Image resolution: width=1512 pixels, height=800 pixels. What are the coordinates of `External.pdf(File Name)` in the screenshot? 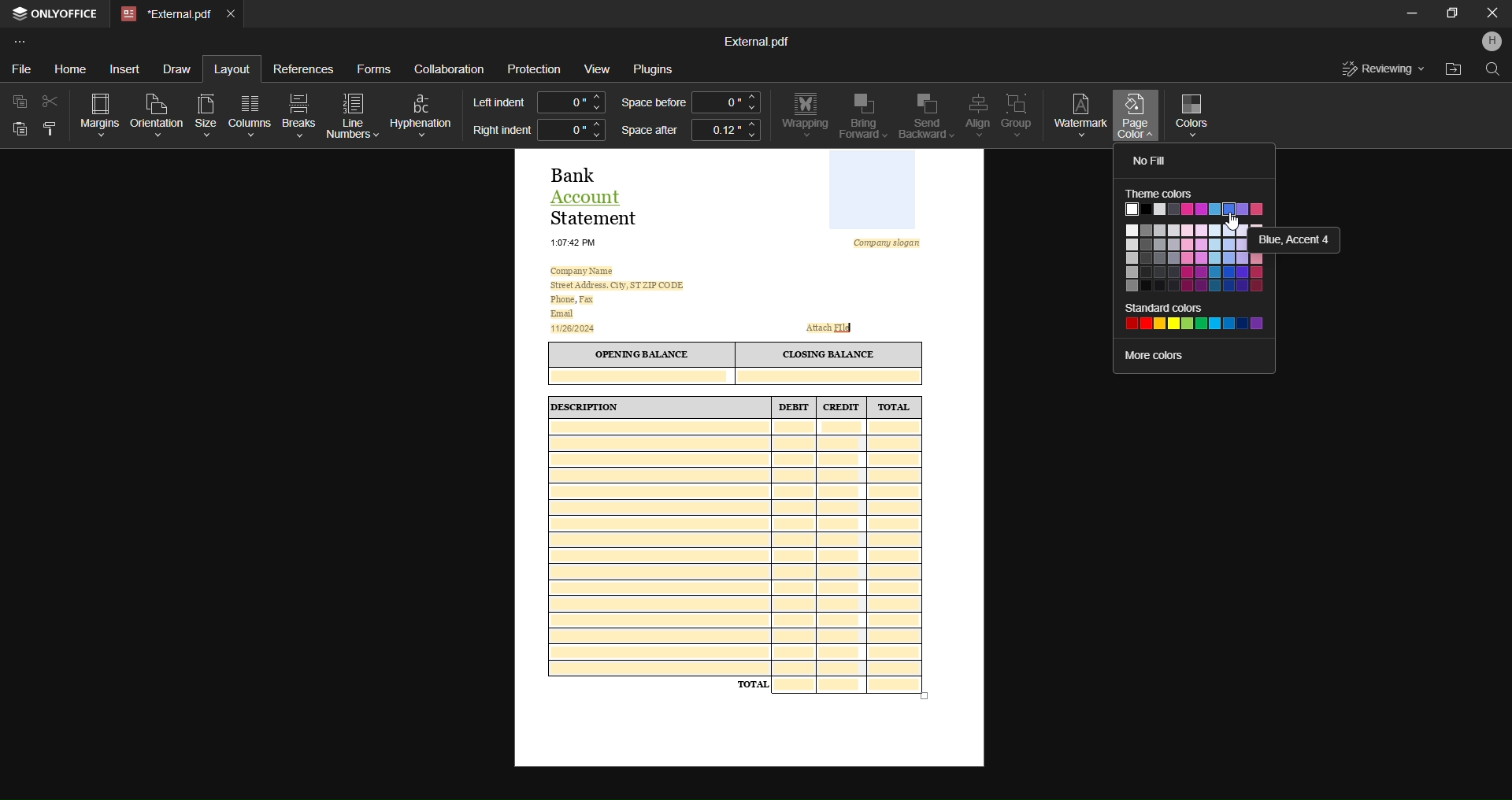 It's located at (757, 40).